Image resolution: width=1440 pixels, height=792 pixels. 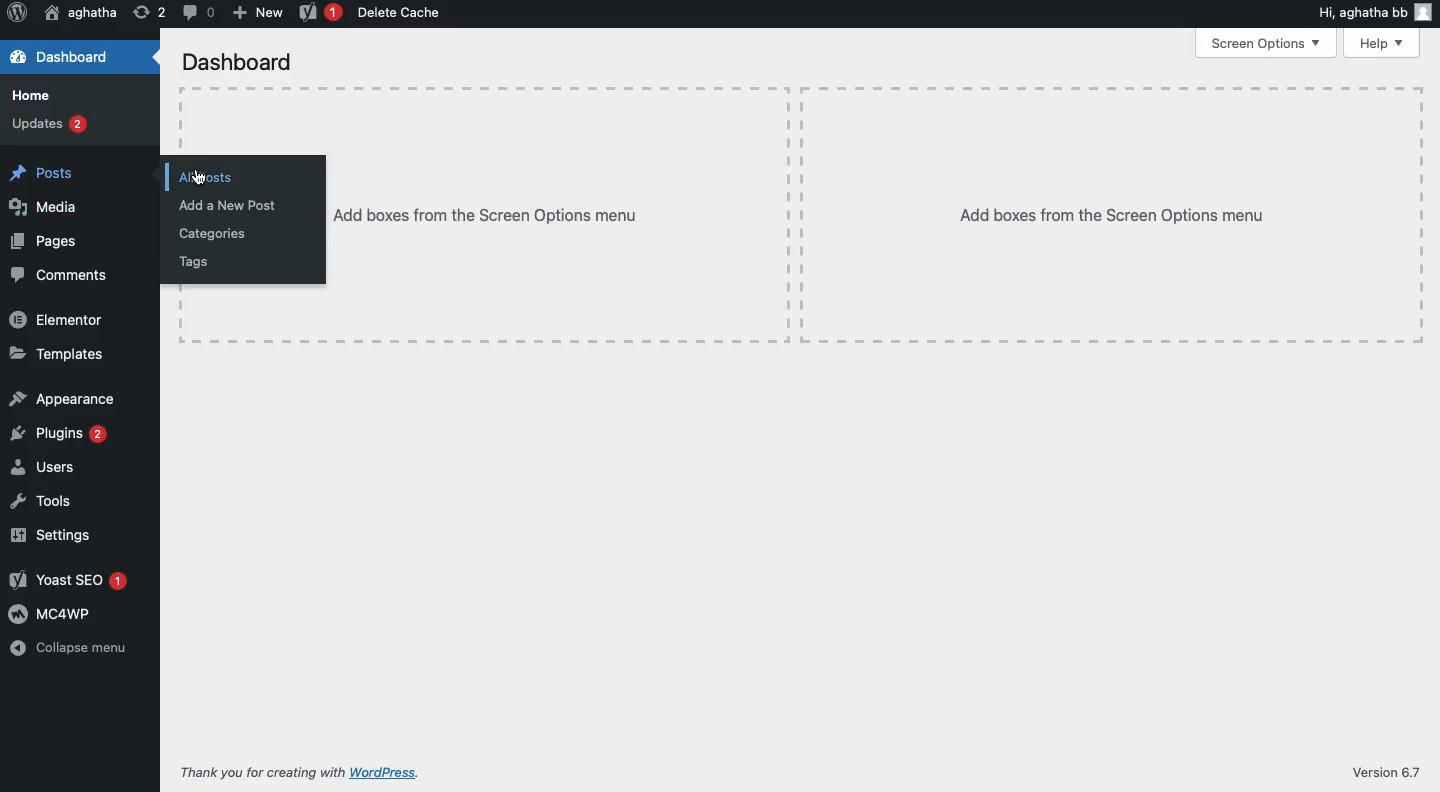 What do you see at coordinates (197, 262) in the screenshot?
I see `Tags` at bounding box center [197, 262].